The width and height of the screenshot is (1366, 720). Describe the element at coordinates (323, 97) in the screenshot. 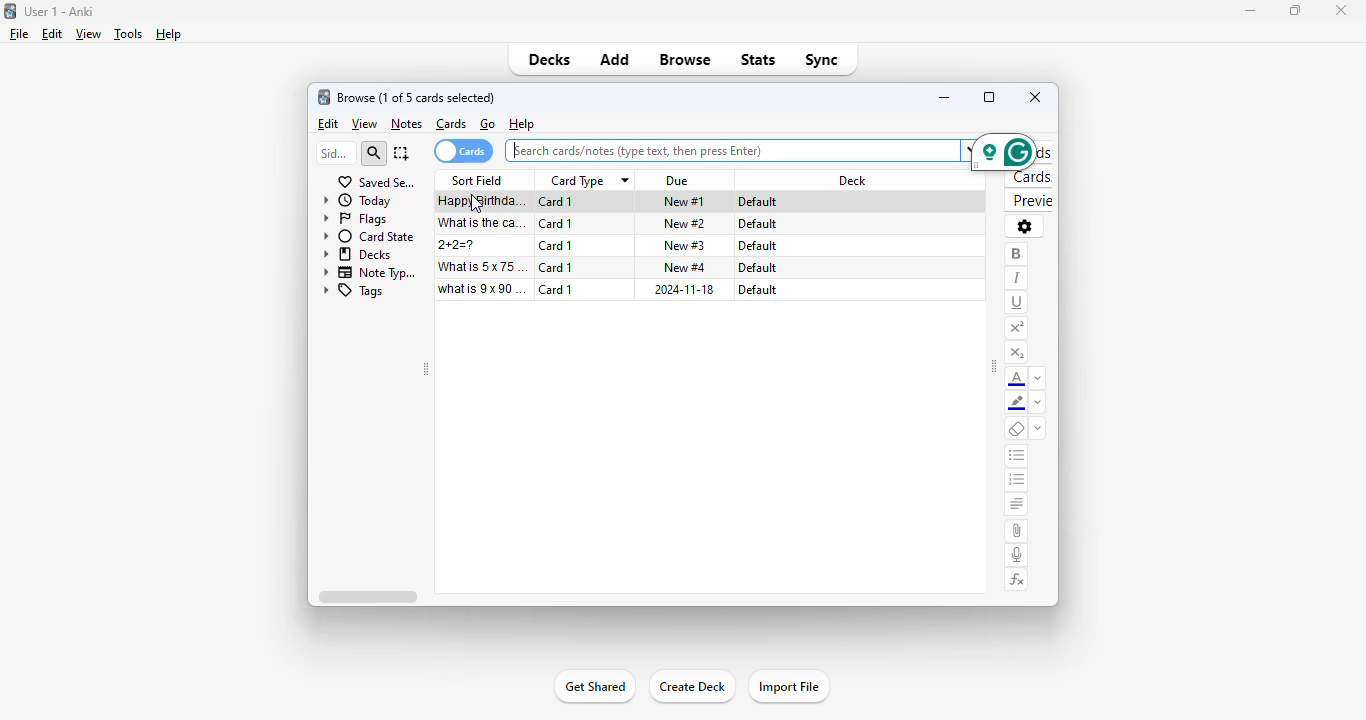

I see `logo` at that location.